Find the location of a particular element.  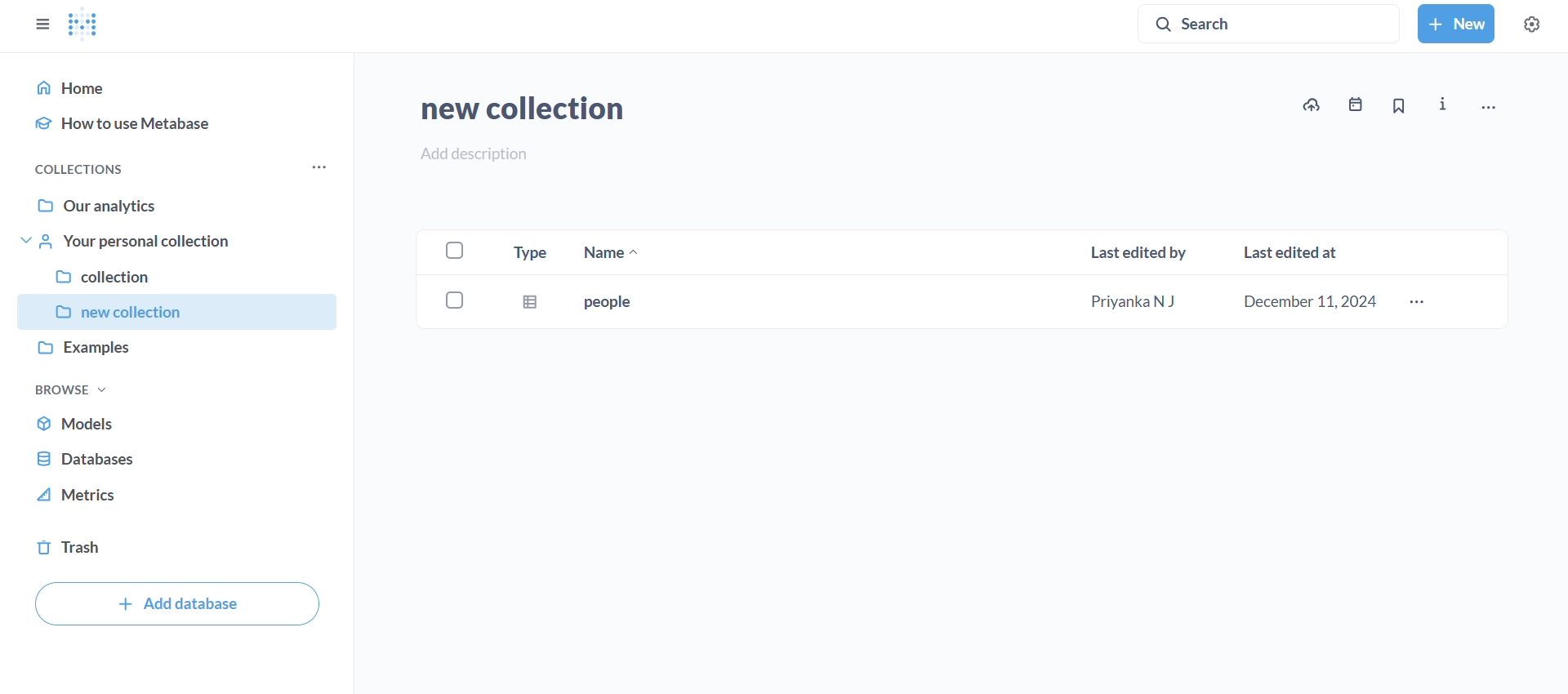

search is located at coordinates (1272, 22).